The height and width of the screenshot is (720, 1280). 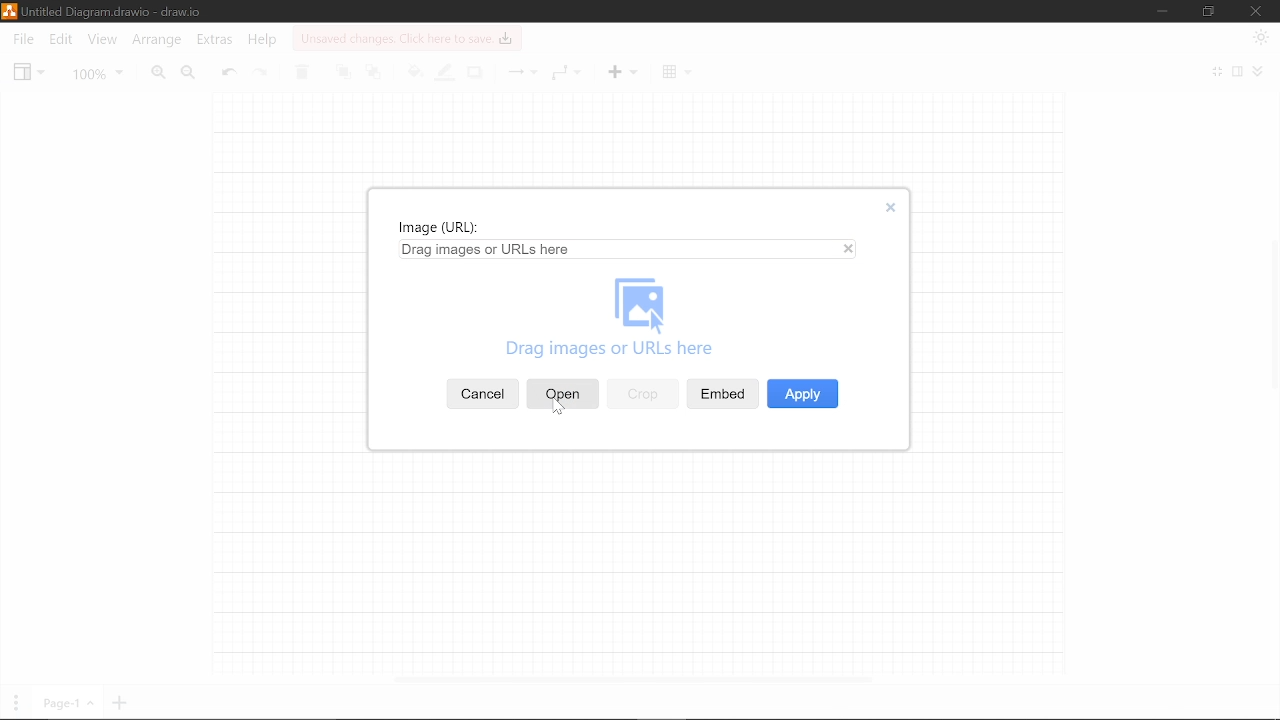 What do you see at coordinates (474, 72) in the screenshot?
I see `Shadow` at bounding box center [474, 72].